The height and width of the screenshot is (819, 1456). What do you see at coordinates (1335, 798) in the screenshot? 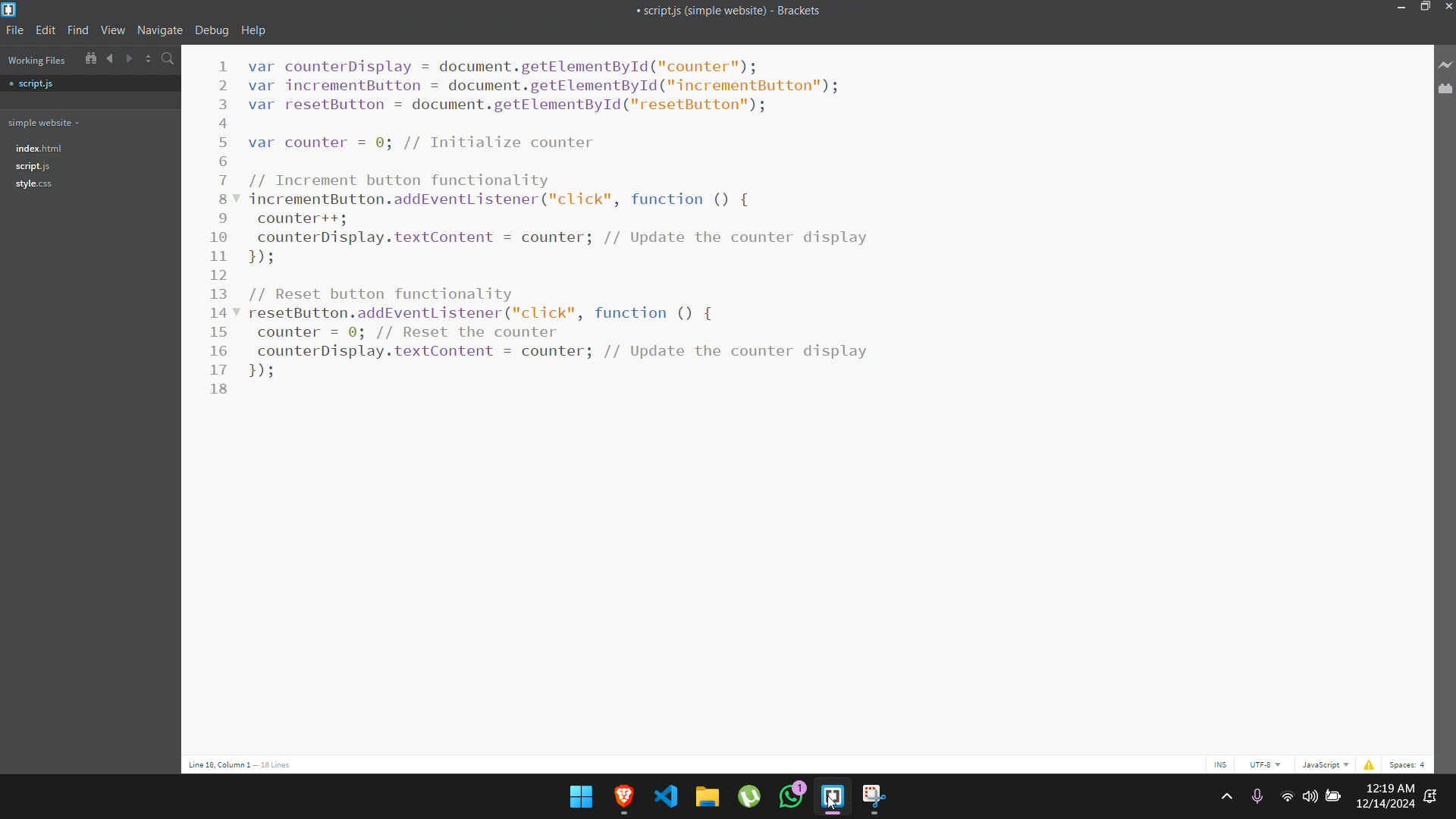
I see `battery` at bounding box center [1335, 798].